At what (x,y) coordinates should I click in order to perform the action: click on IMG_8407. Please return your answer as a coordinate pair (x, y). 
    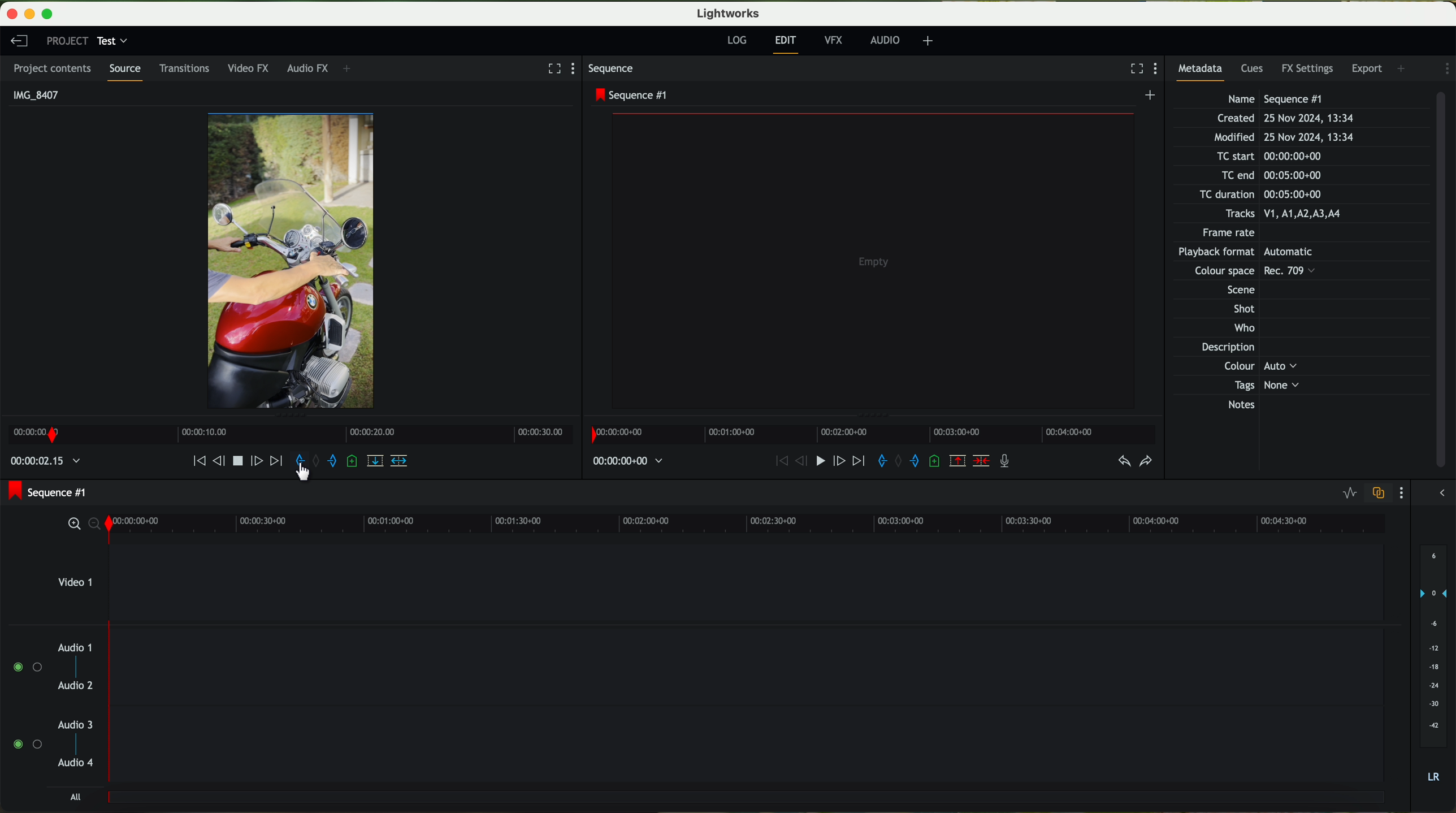
    Looking at the image, I should click on (33, 94).